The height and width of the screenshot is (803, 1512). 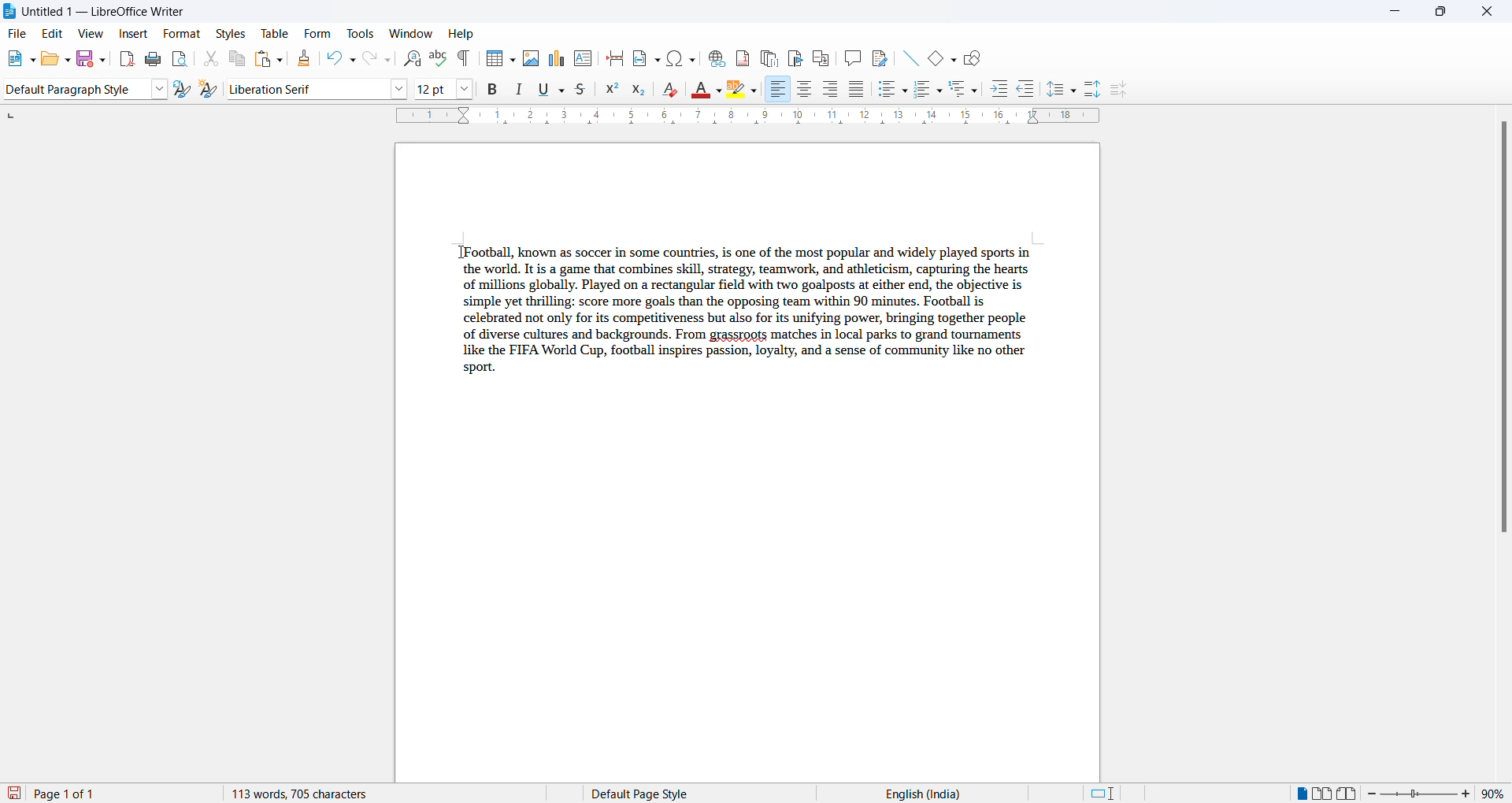 I want to click on decrease paragraph spacing, so click(x=1121, y=90).